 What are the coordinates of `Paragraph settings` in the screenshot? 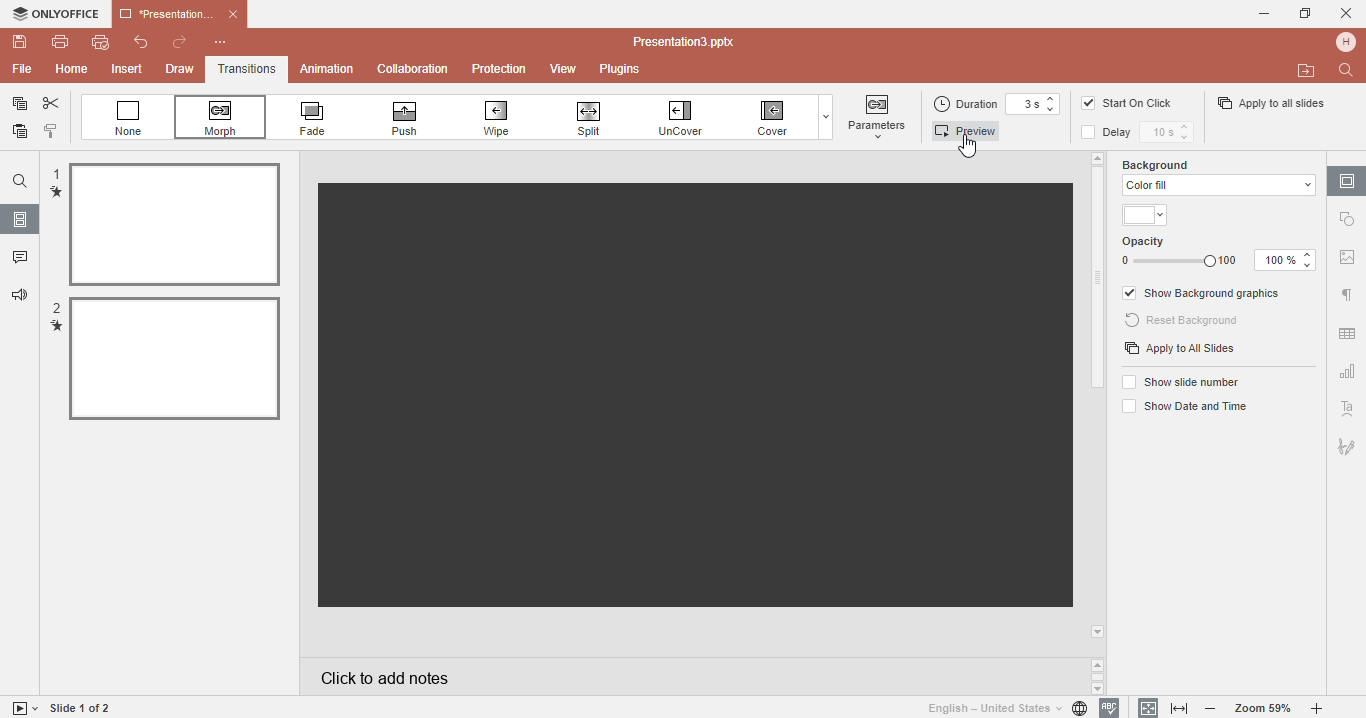 It's located at (1346, 295).